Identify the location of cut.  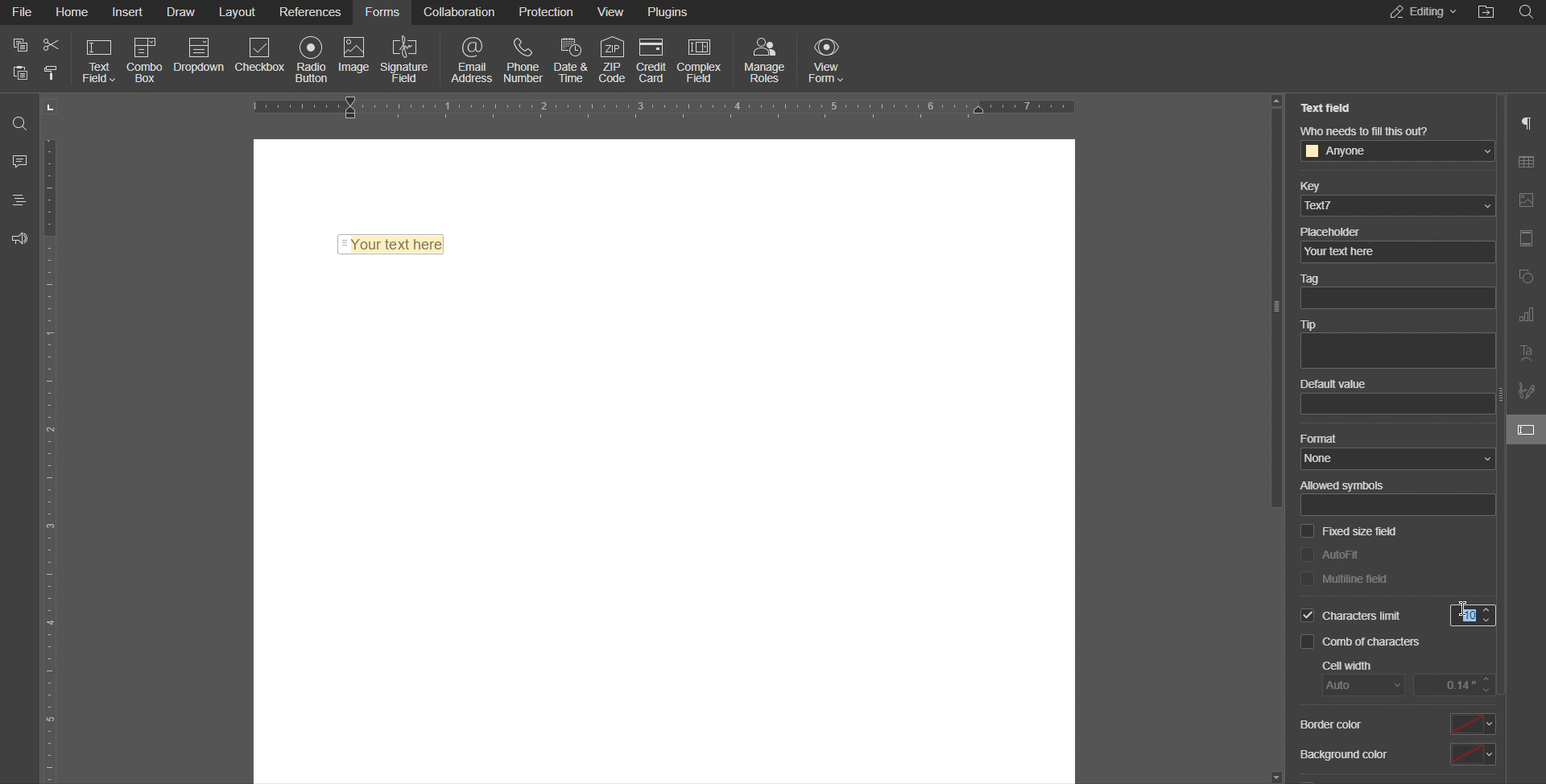
(52, 45).